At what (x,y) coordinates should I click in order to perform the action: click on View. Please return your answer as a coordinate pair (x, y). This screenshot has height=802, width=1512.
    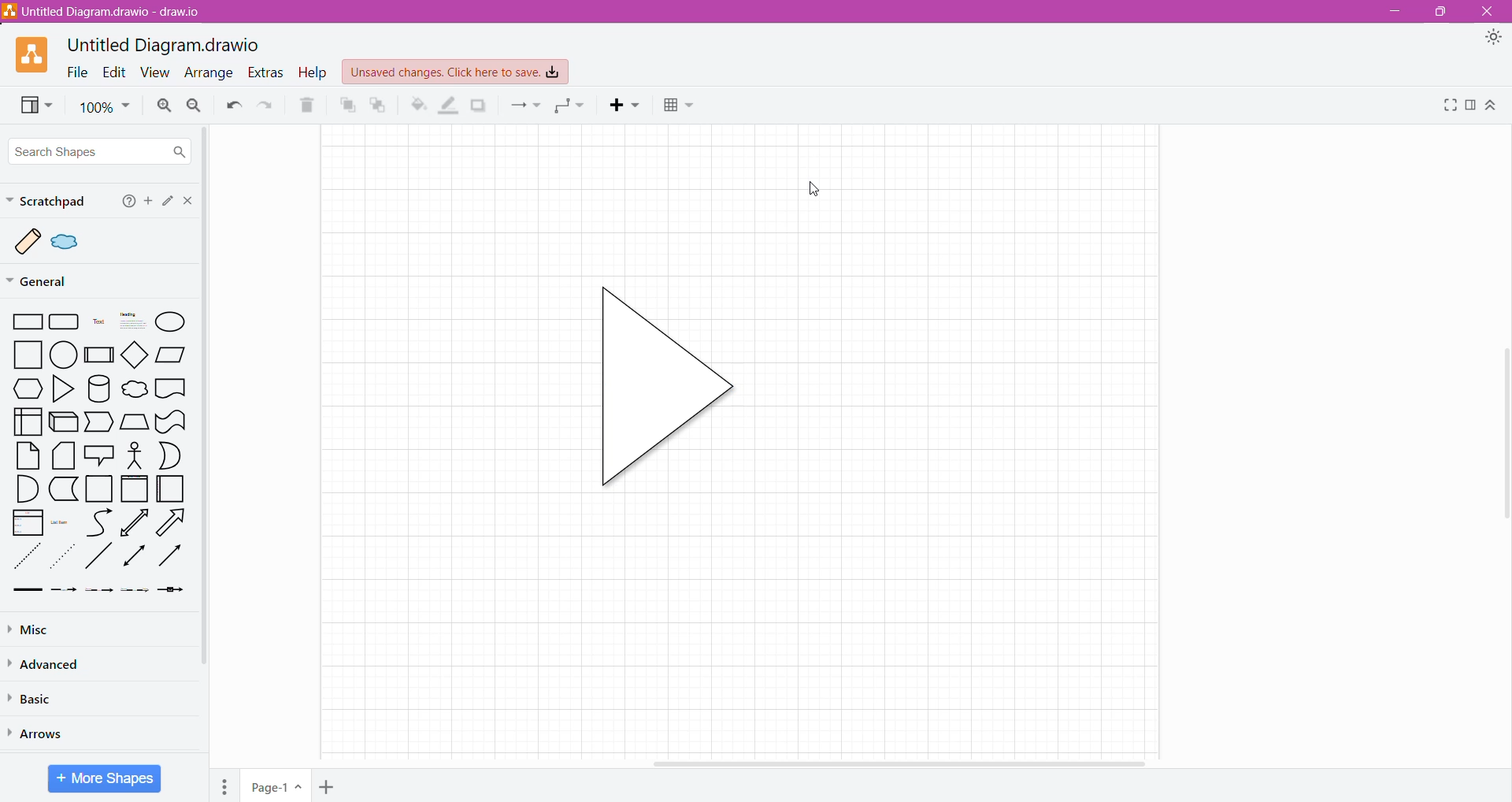
    Looking at the image, I should click on (156, 72).